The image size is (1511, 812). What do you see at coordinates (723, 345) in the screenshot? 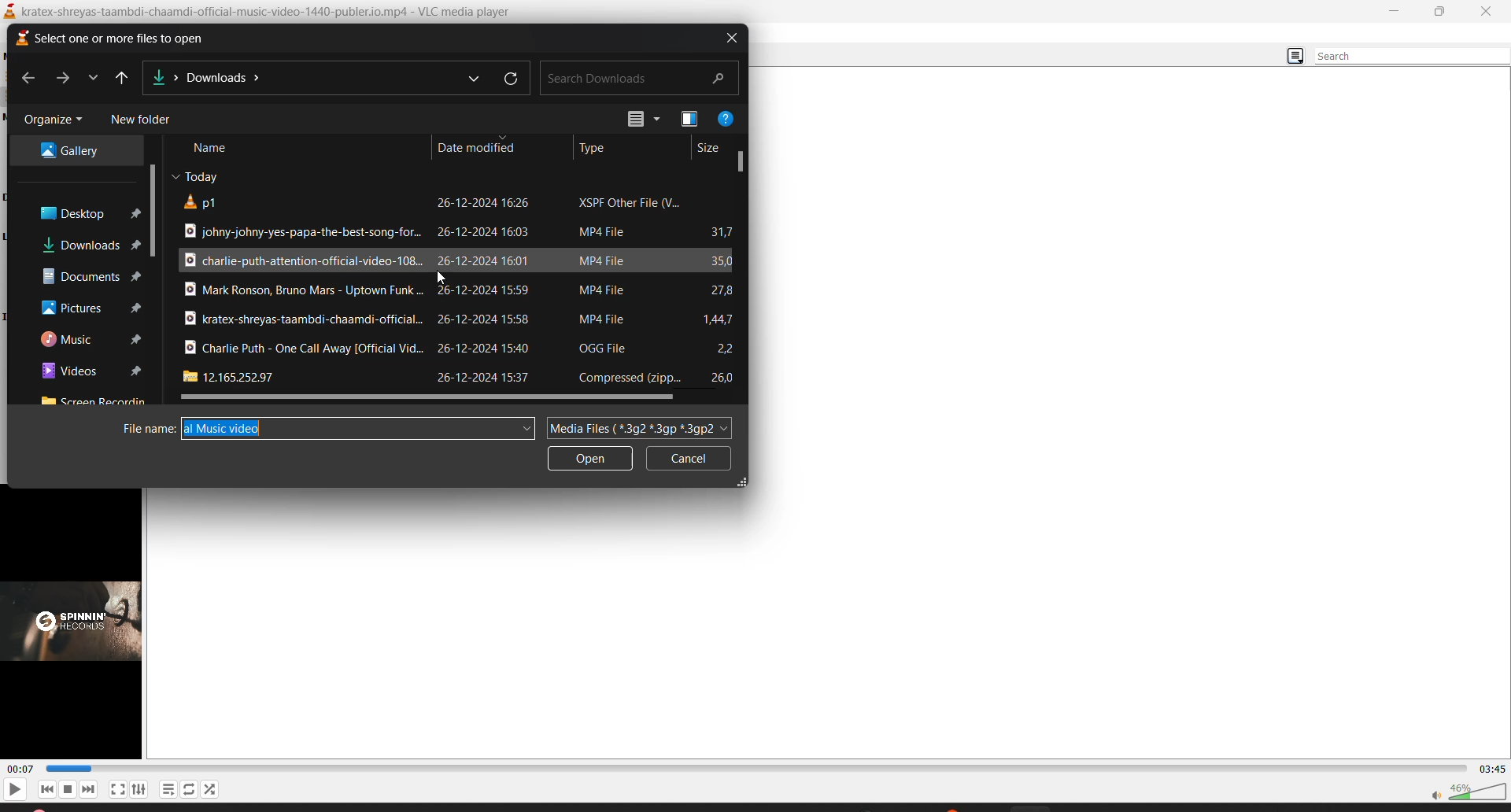
I see `file size` at bounding box center [723, 345].